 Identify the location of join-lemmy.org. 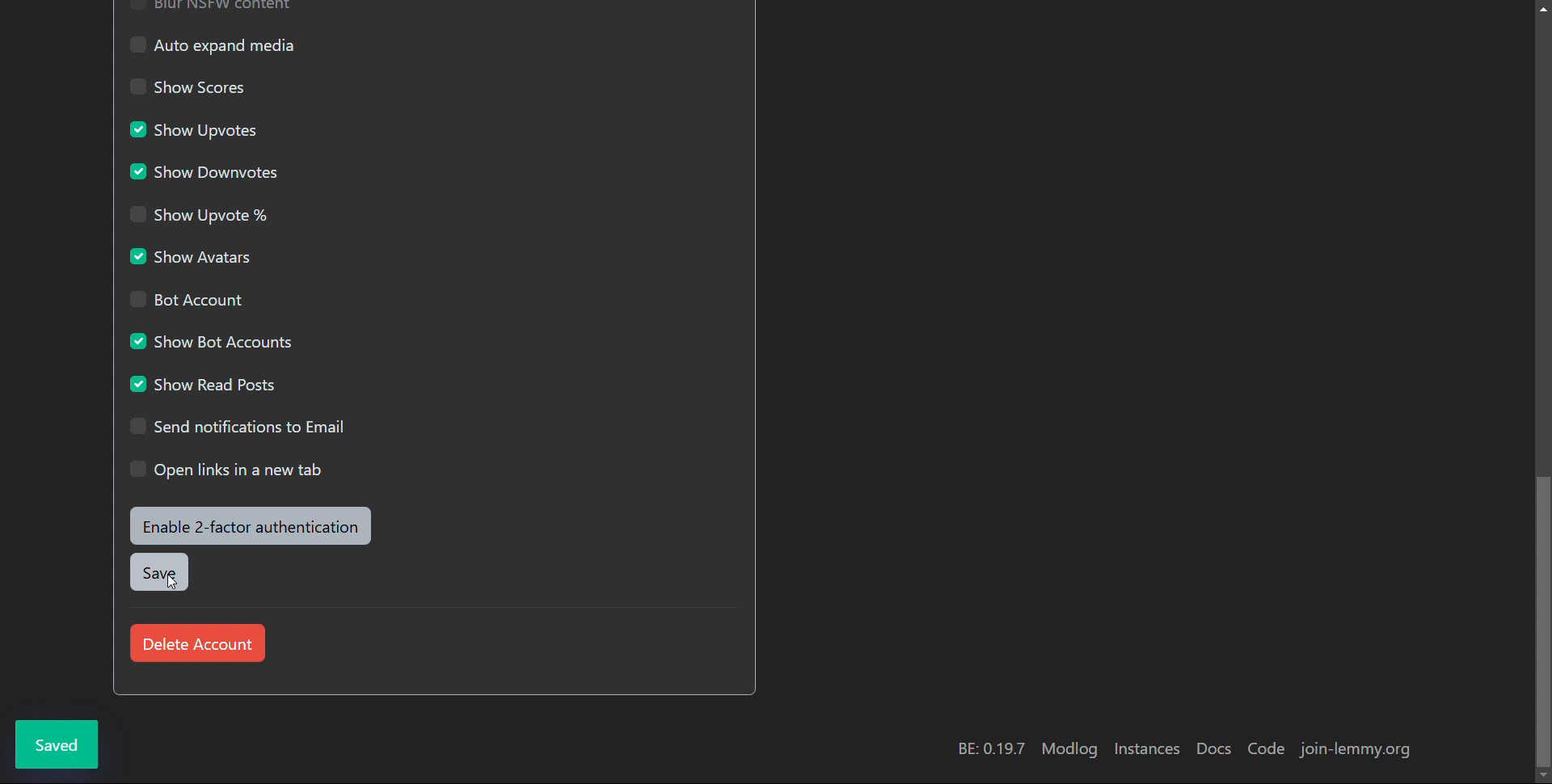
(1356, 750).